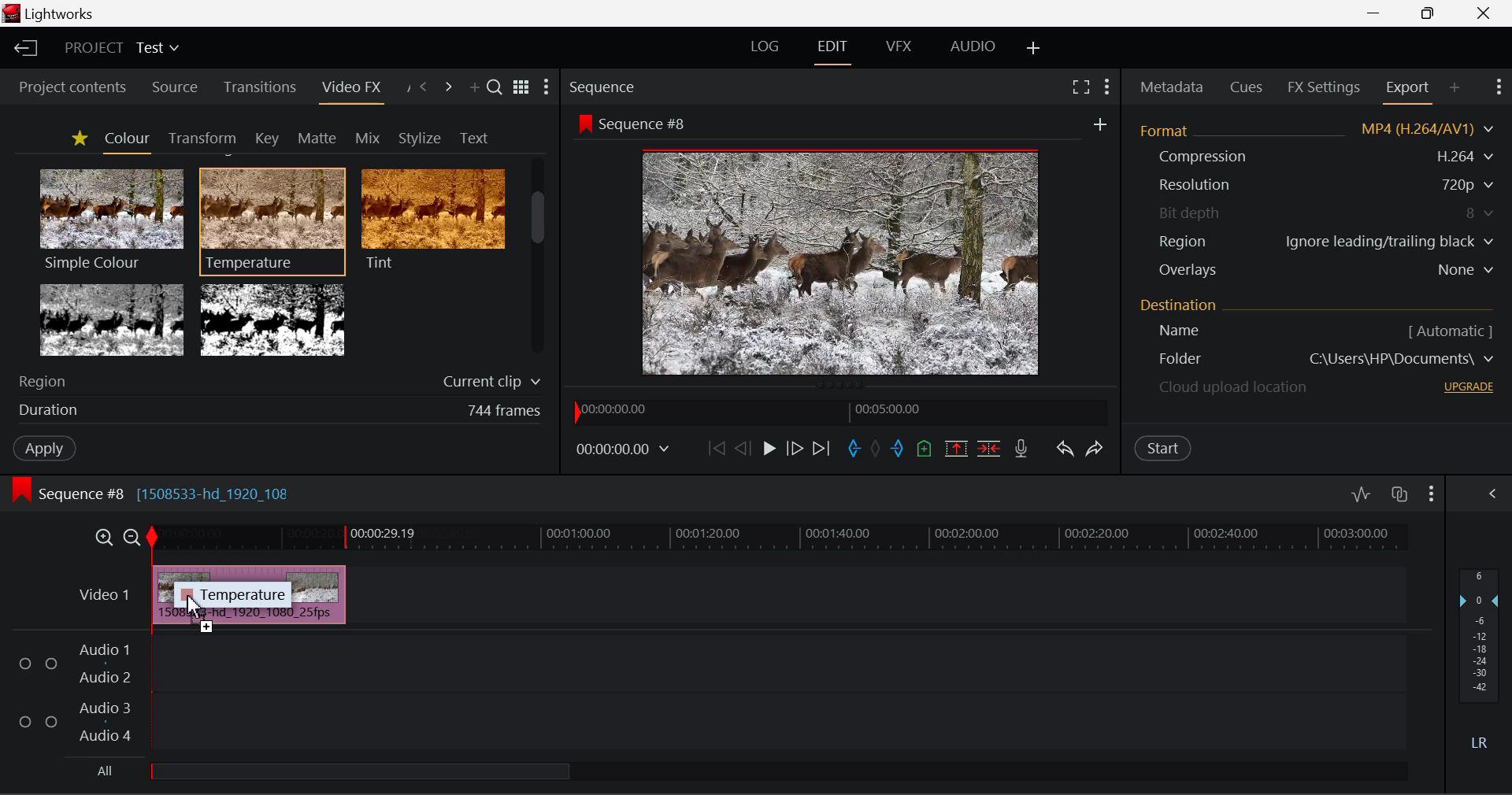 Image resolution: width=1512 pixels, height=795 pixels. I want to click on Timeline Zoom In, so click(106, 536).